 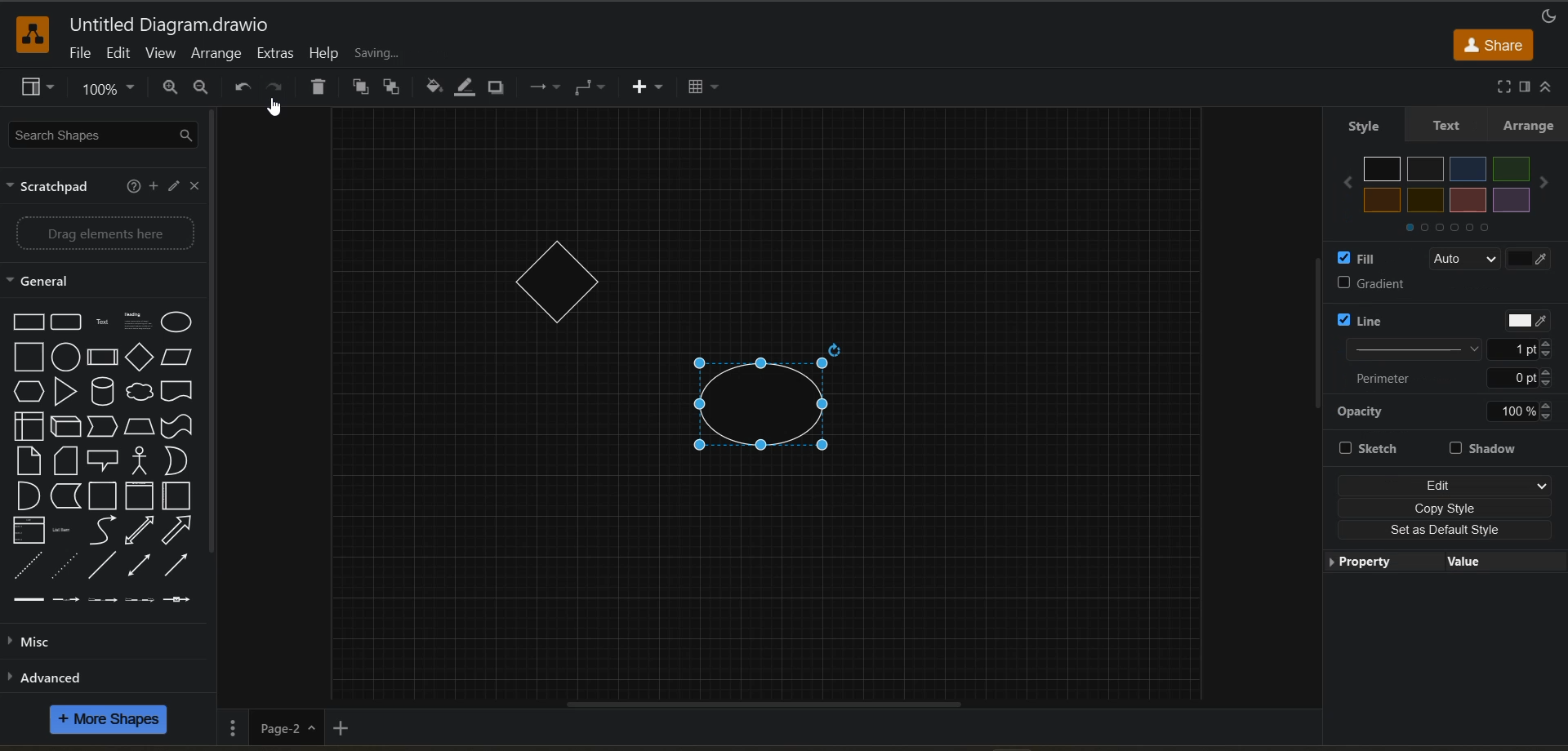 What do you see at coordinates (65, 495) in the screenshot?
I see `data storage` at bounding box center [65, 495].